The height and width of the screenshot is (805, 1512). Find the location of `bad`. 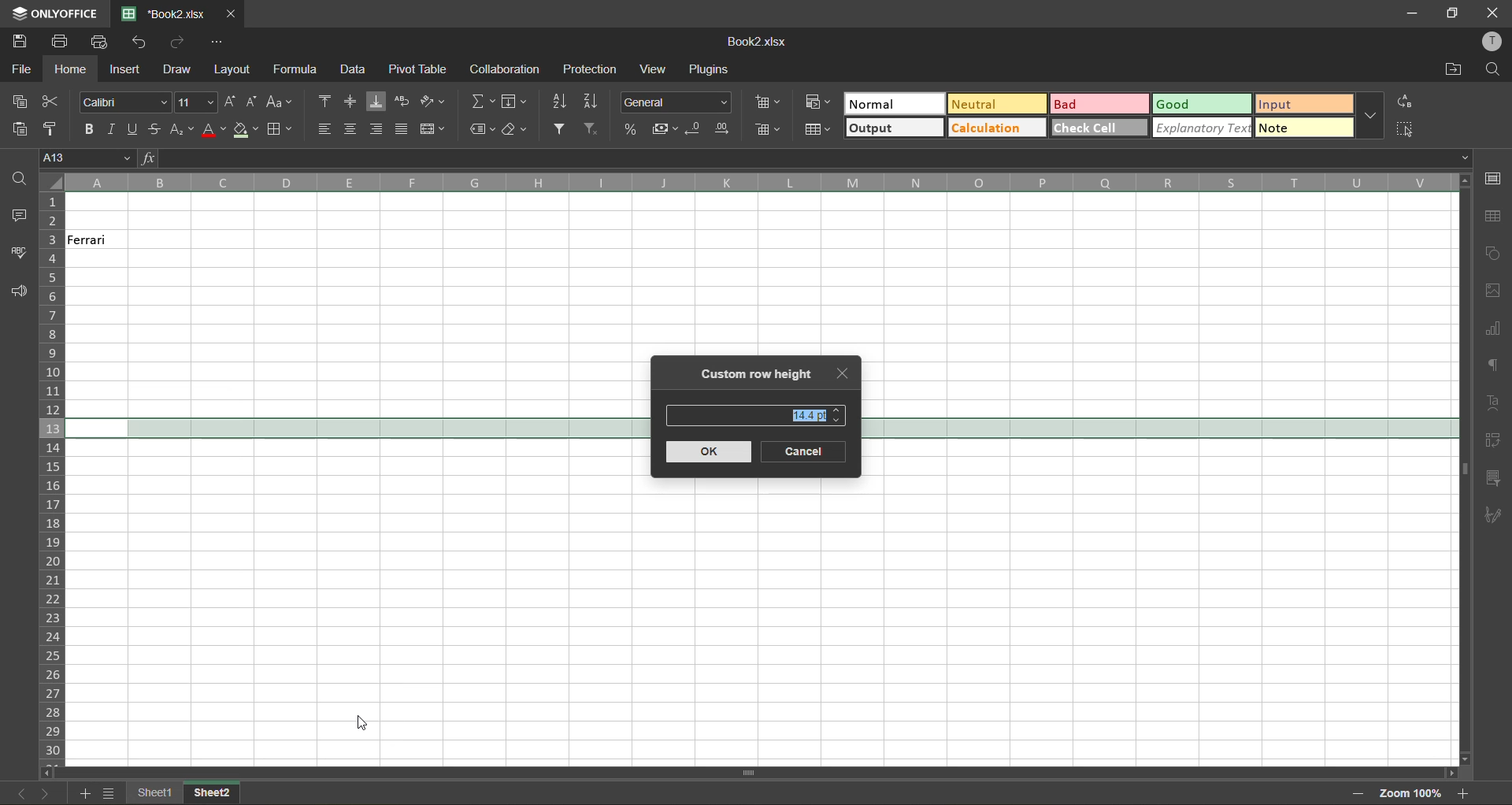

bad is located at coordinates (1101, 106).